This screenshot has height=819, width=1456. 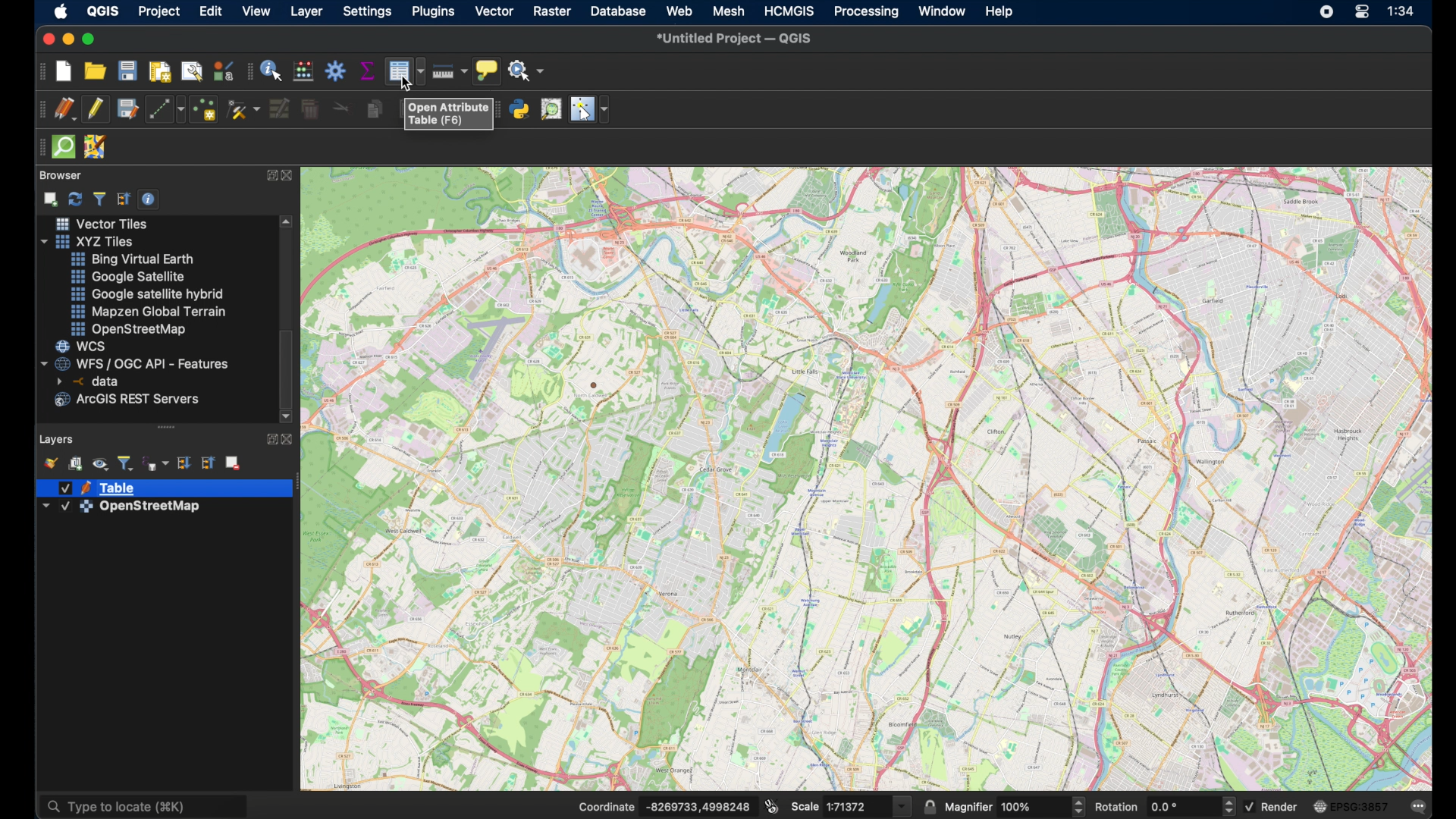 What do you see at coordinates (968, 805) in the screenshot?
I see `magnifier` at bounding box center [968, 805].